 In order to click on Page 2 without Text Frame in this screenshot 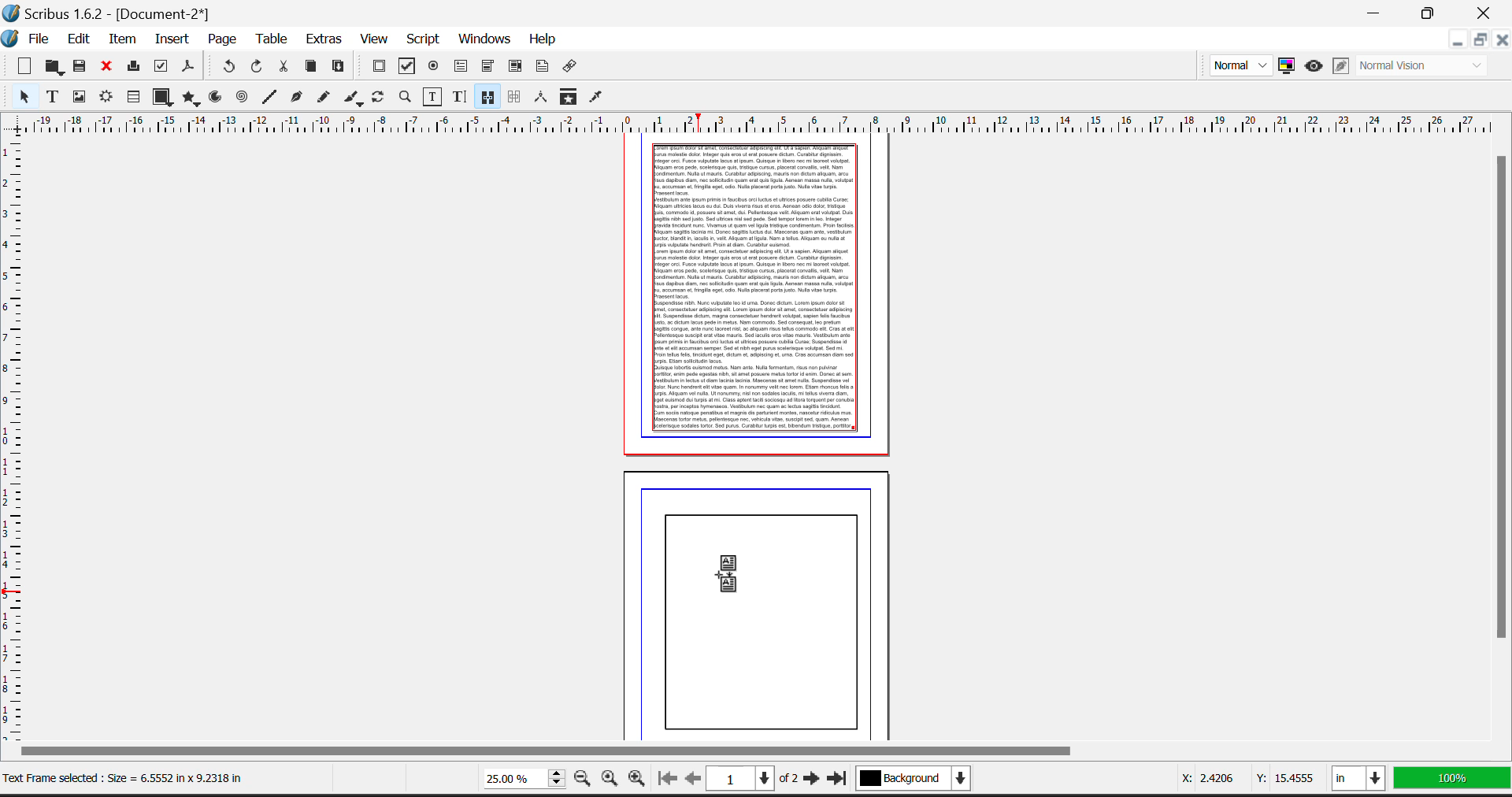, I will do `click(761, 602)`.